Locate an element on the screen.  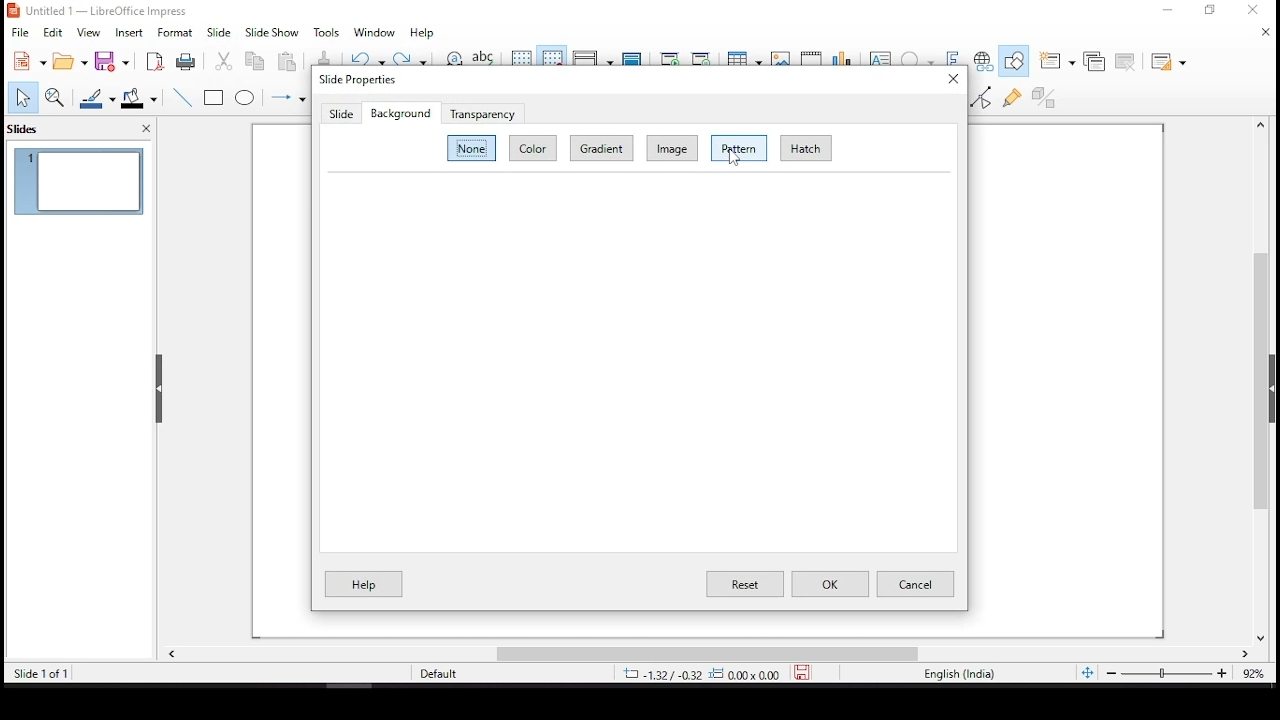
line color is located at coordinates (95, 97).